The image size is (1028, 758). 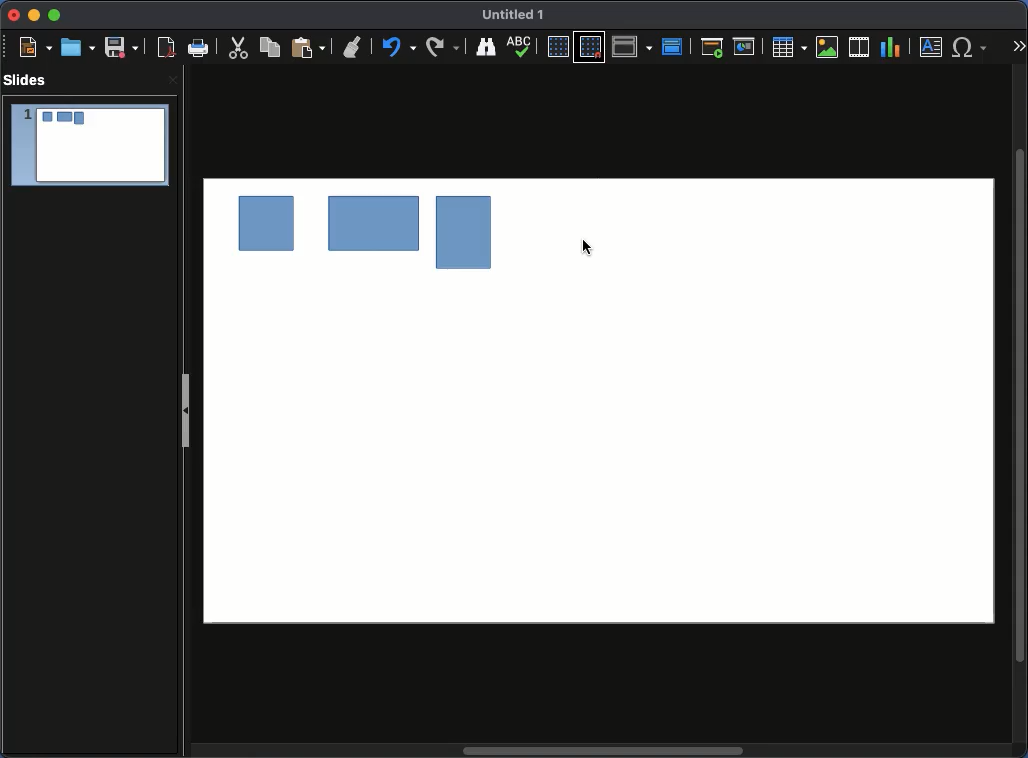 What do you see at coordinates (711, 49) in the screenshot?
I see `Start from first slide` at bounding box center [711, 49].